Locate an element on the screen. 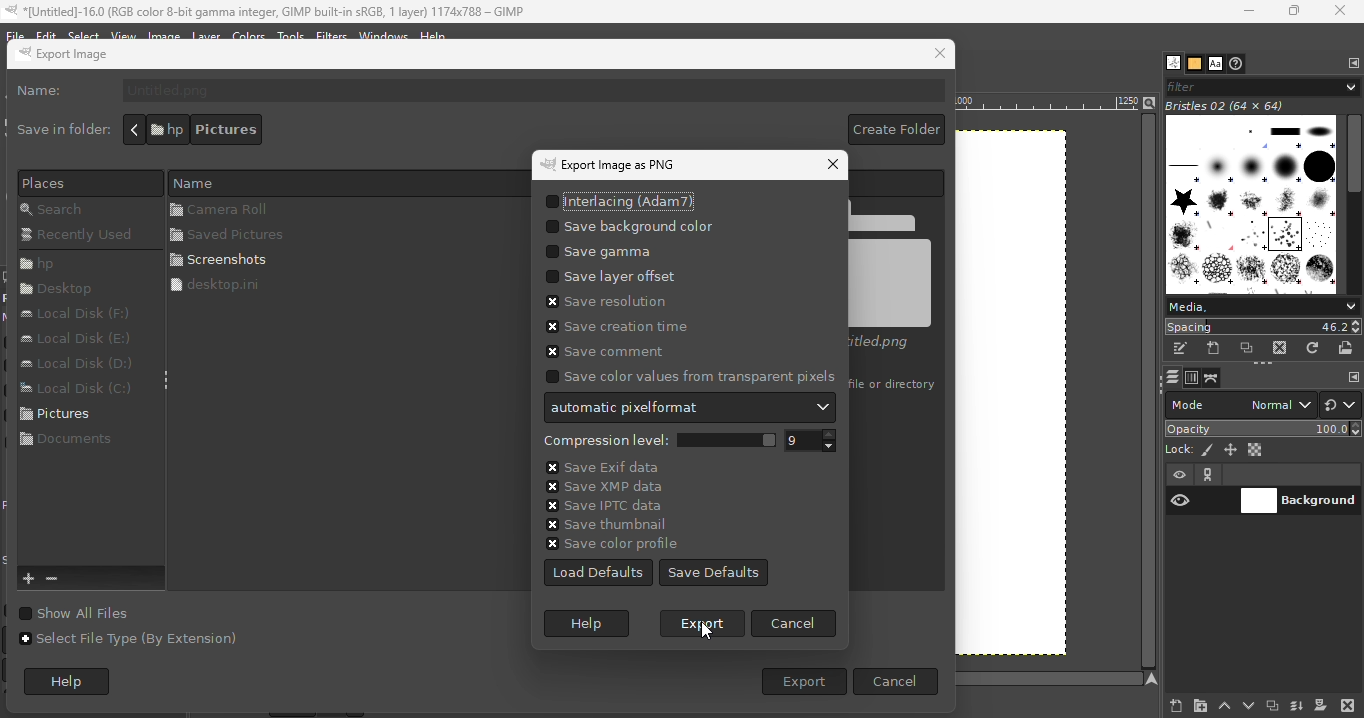  Raise this layer is located at coordinates (1223, 704).